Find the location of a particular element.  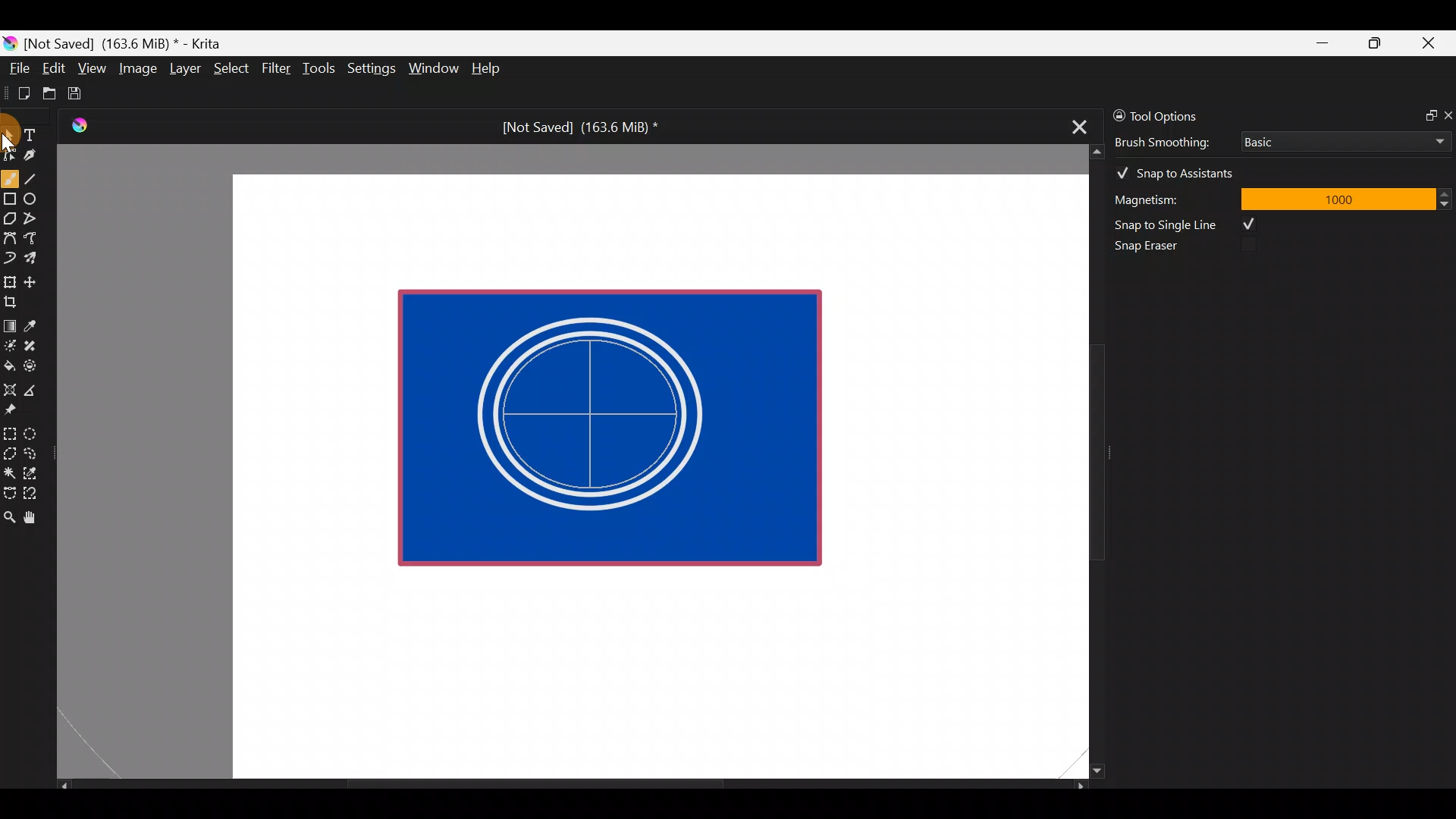

Zoom tool is located at coordinates (9, 516).